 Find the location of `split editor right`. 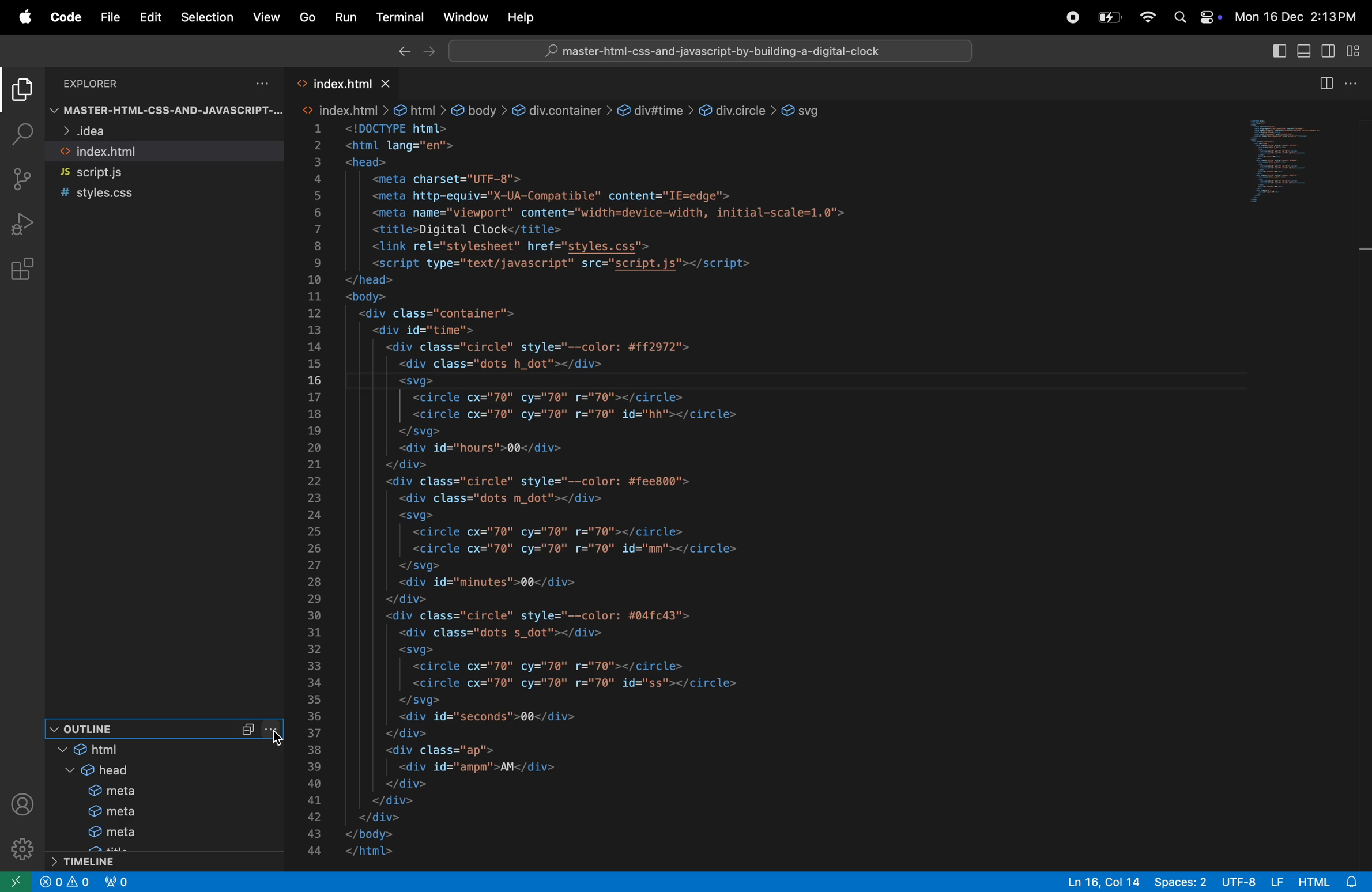

split editor right is located at coordinates (1325, 84).